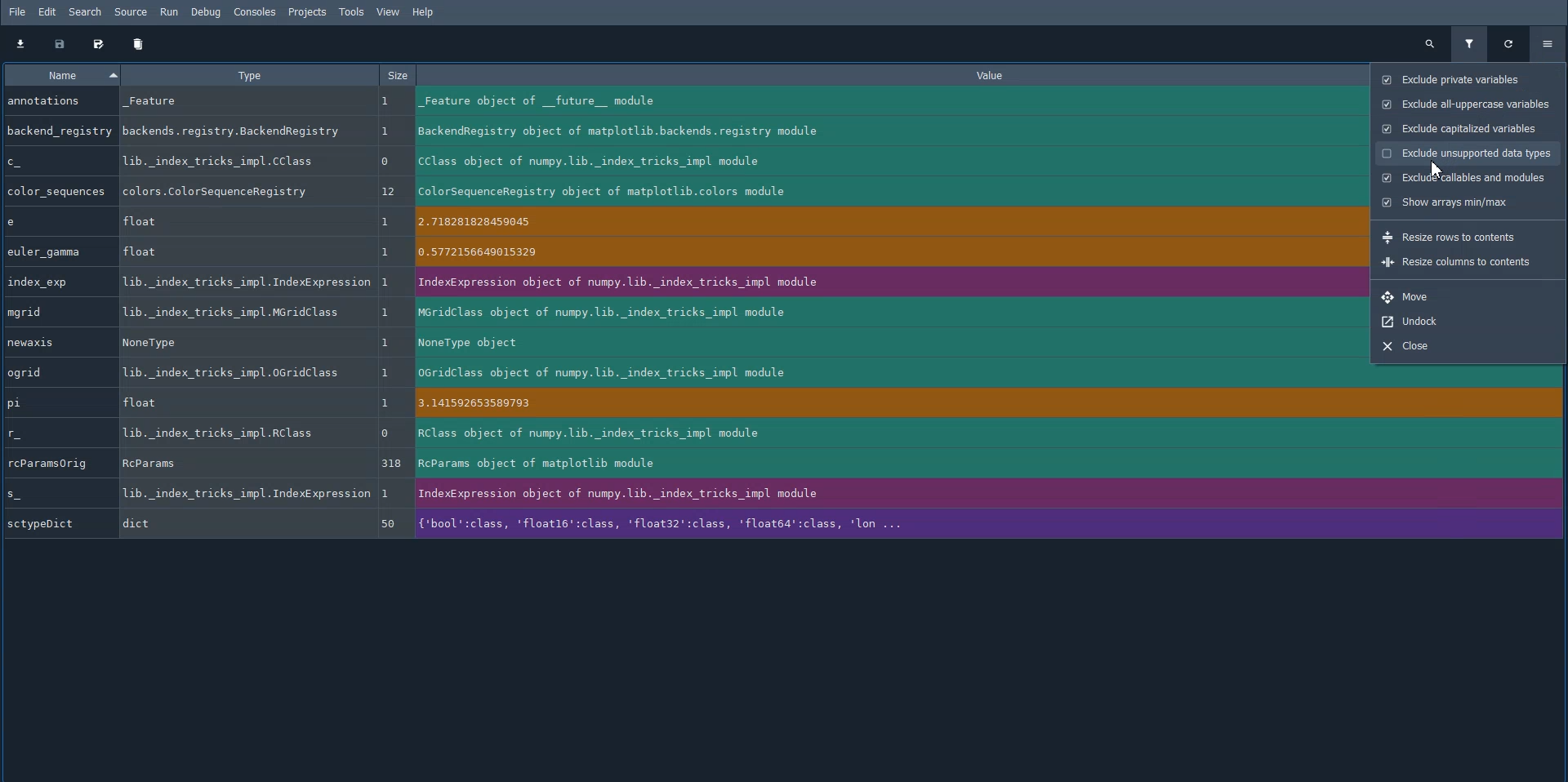 The height and width of the screenshot is (782, 1568). What do you see at coordinates (389, 375) in the screenshot?
I see `1` at bounding box center [389, 375].